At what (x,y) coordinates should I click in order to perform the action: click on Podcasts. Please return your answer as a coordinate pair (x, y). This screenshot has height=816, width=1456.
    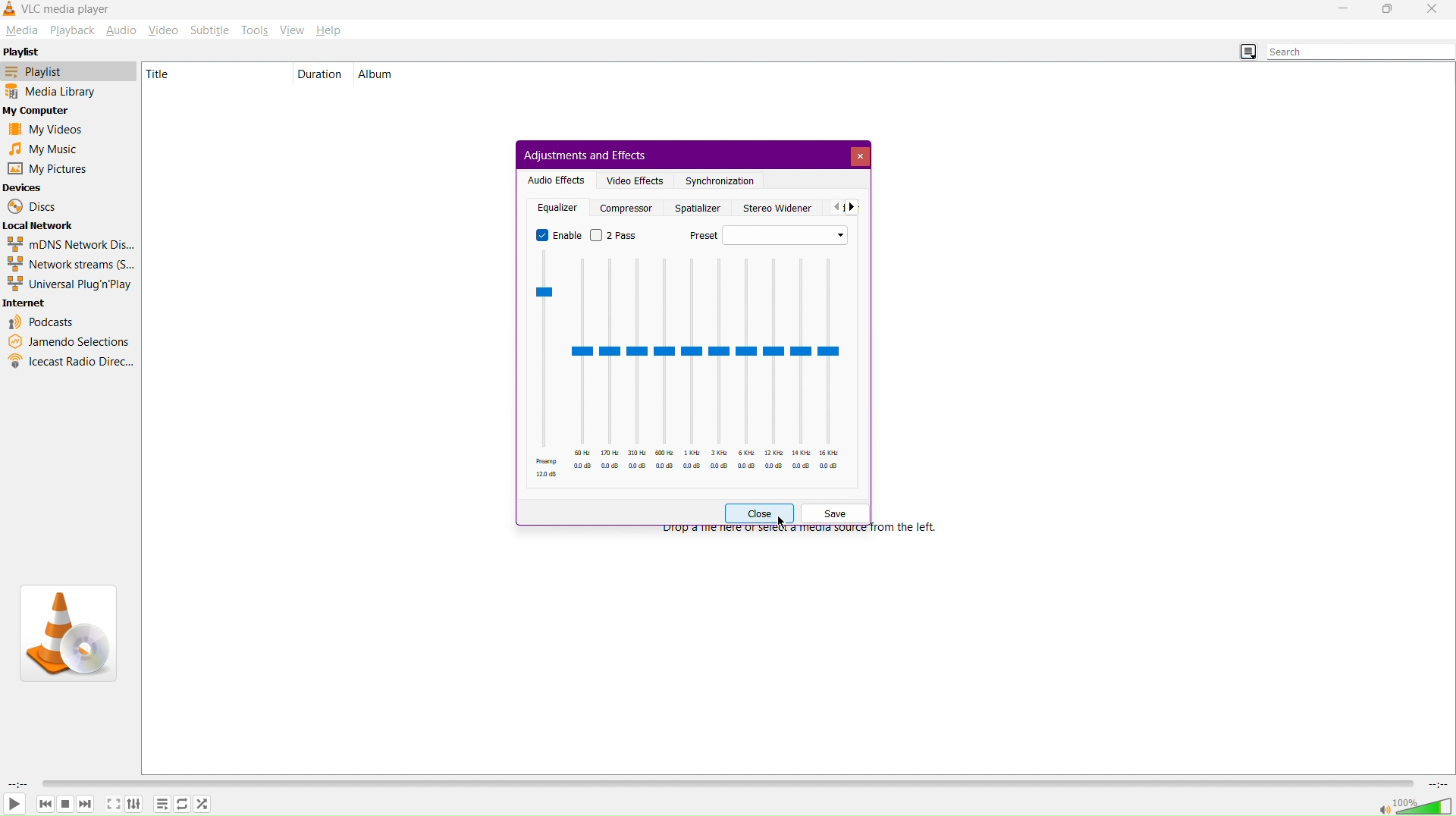
    Looking at the image, I should click on (44, 319).